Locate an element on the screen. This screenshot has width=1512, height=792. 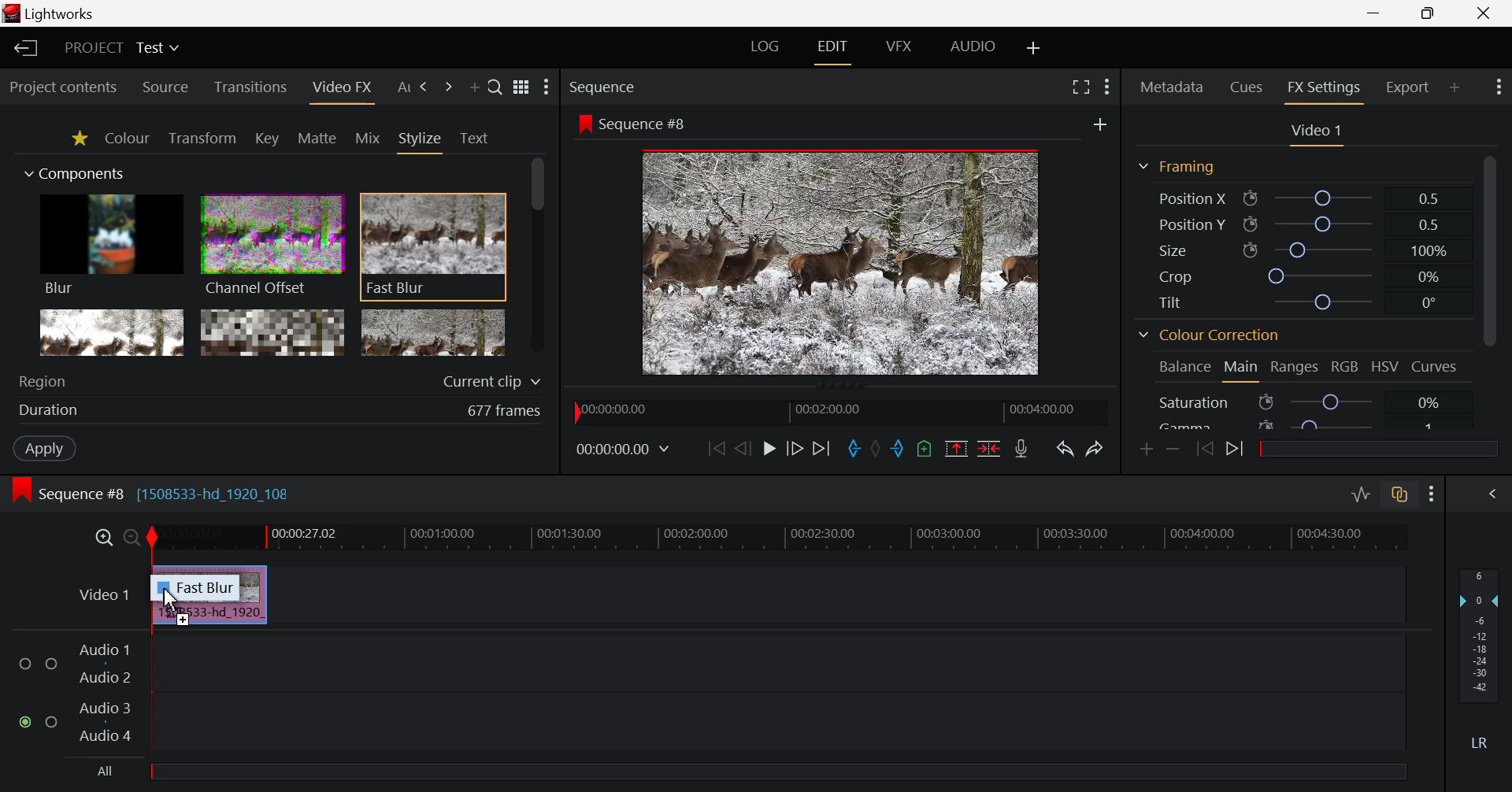
Colour is located at coordinates (128, 139).